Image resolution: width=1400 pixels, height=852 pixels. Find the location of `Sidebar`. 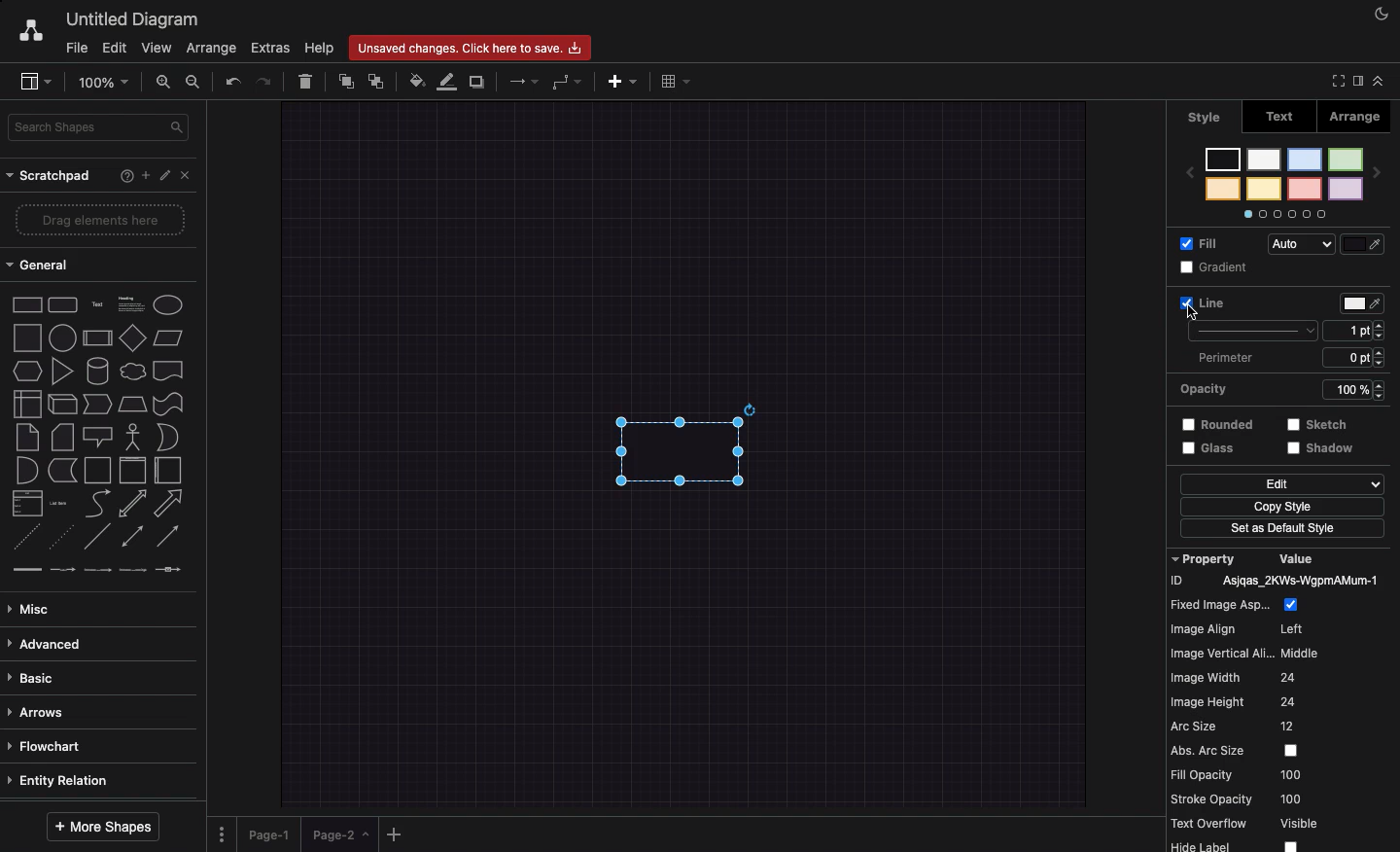

Sidebar is located at coordinates (1356, 80).